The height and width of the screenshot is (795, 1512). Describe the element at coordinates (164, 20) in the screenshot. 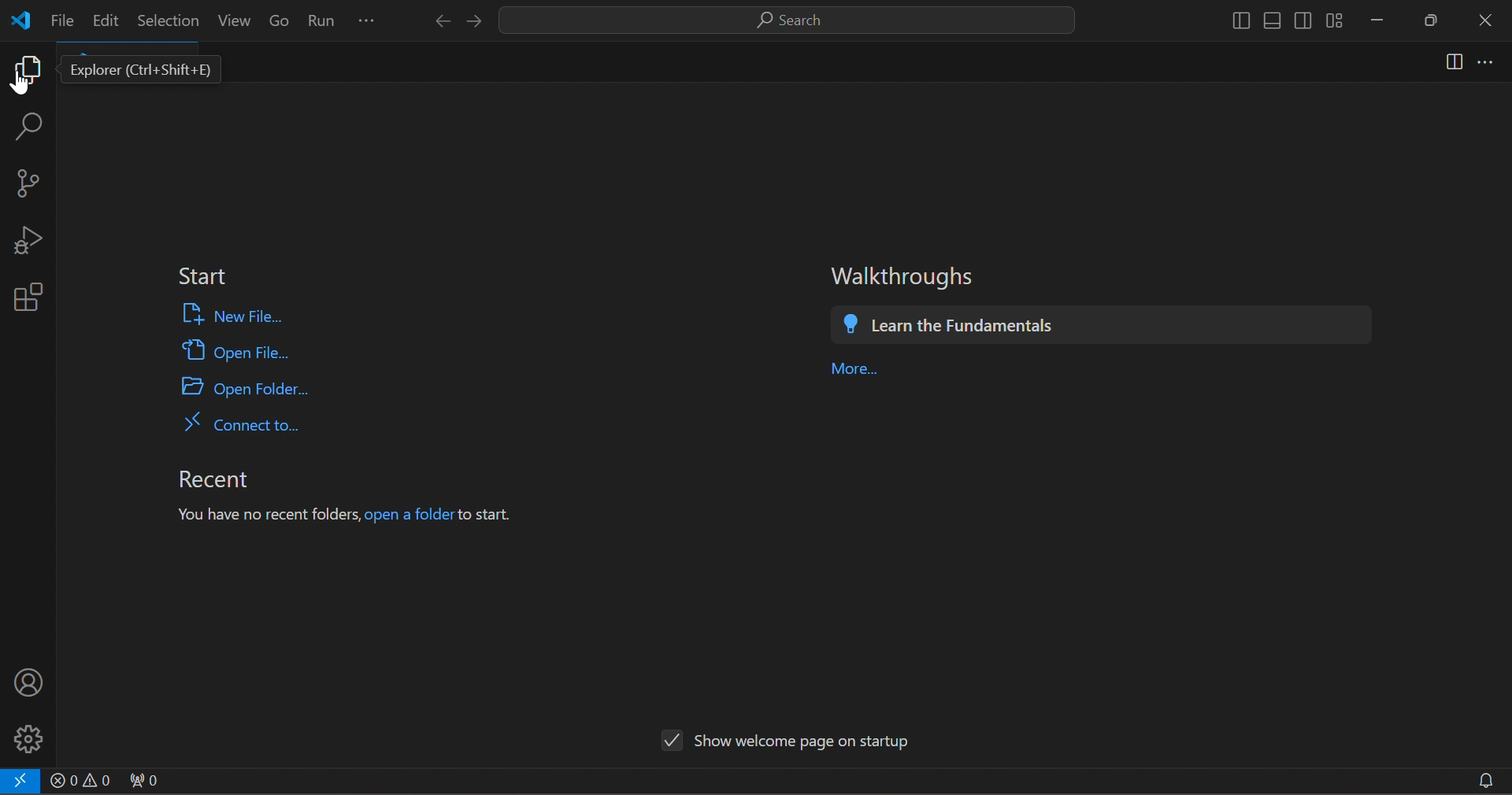

I see `selection` at that location.